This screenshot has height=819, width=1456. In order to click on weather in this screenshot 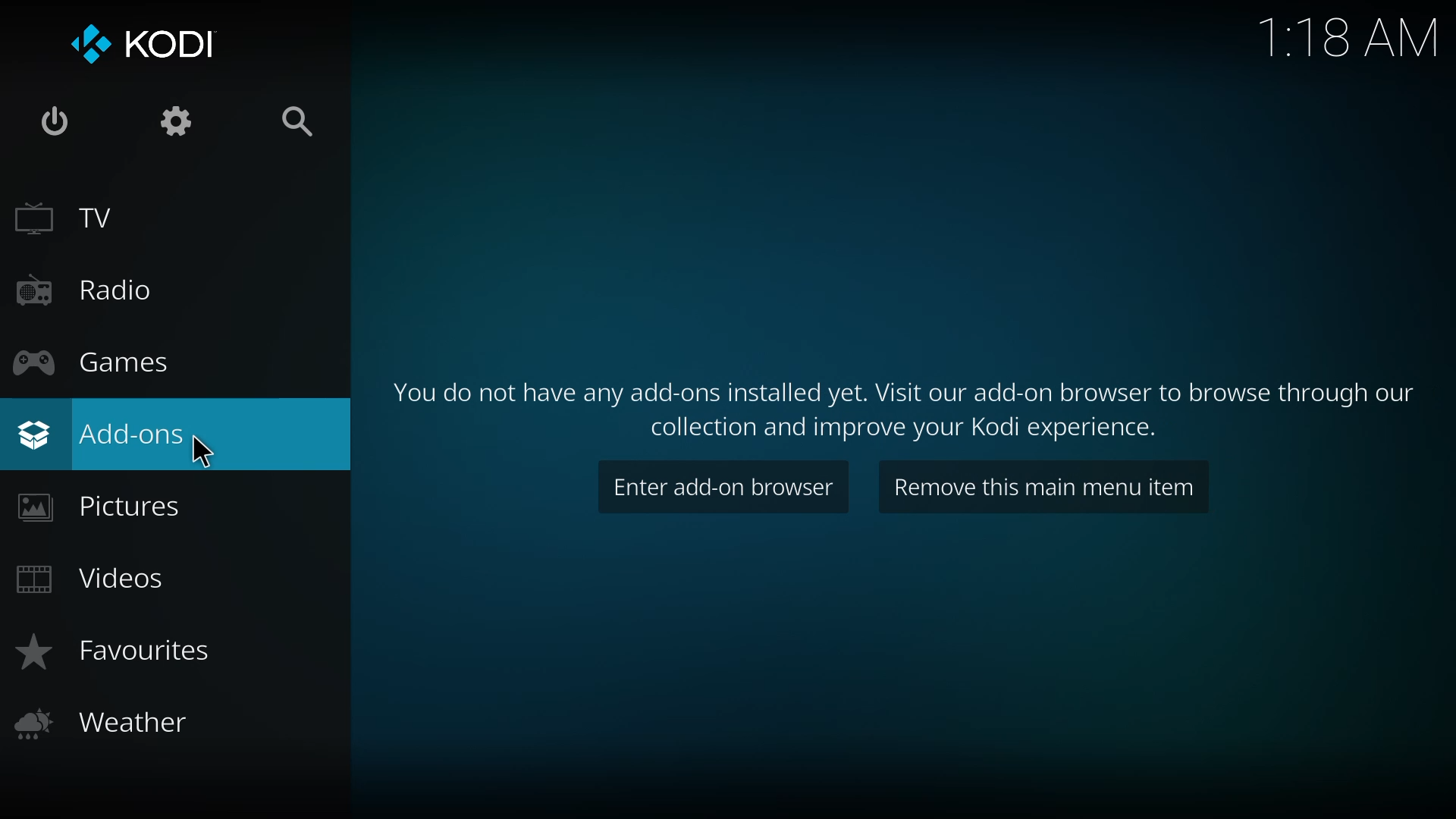, I will do `click(105, 723)`.